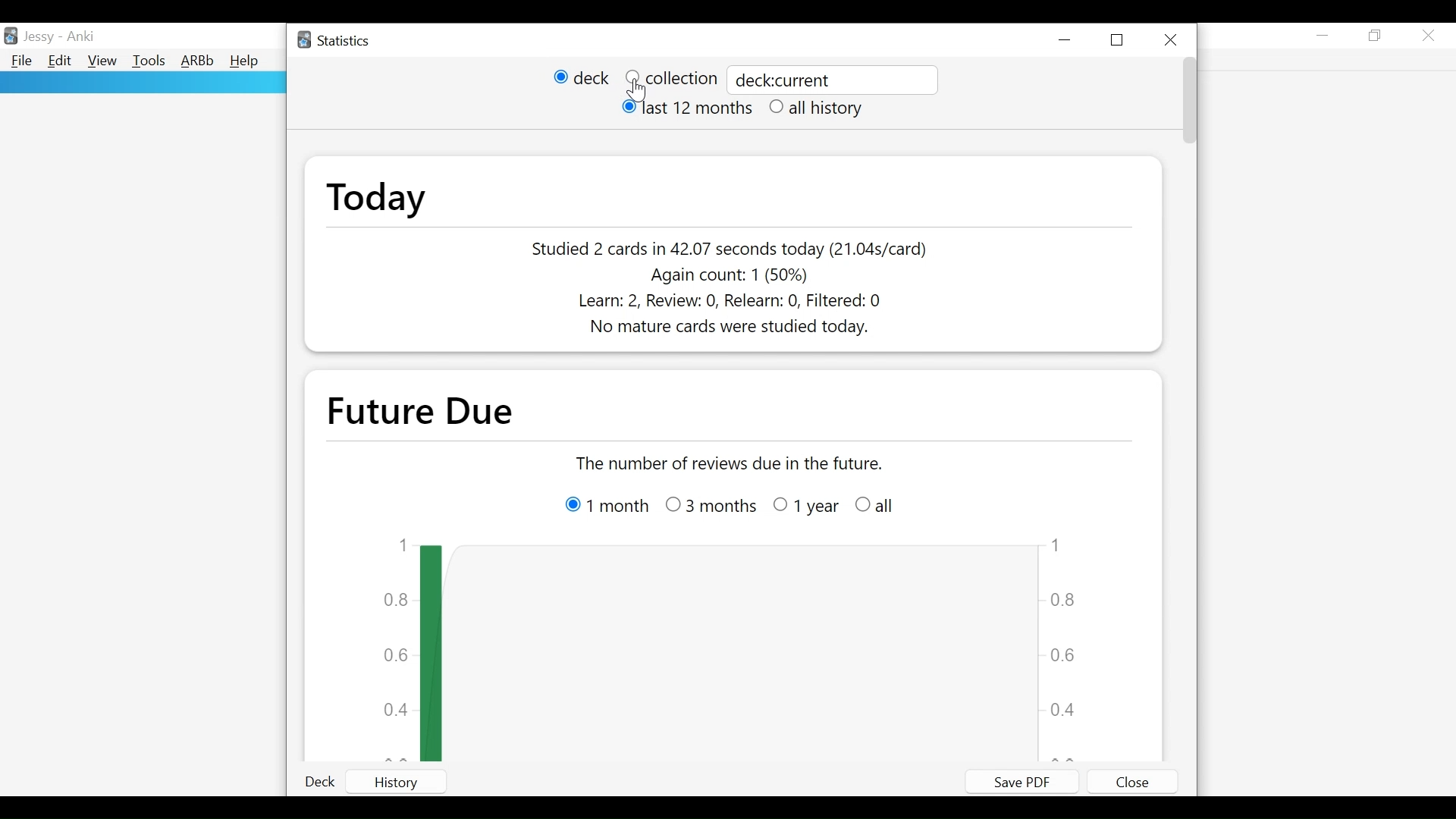  I want to click on Future Due, so click(427, 412).